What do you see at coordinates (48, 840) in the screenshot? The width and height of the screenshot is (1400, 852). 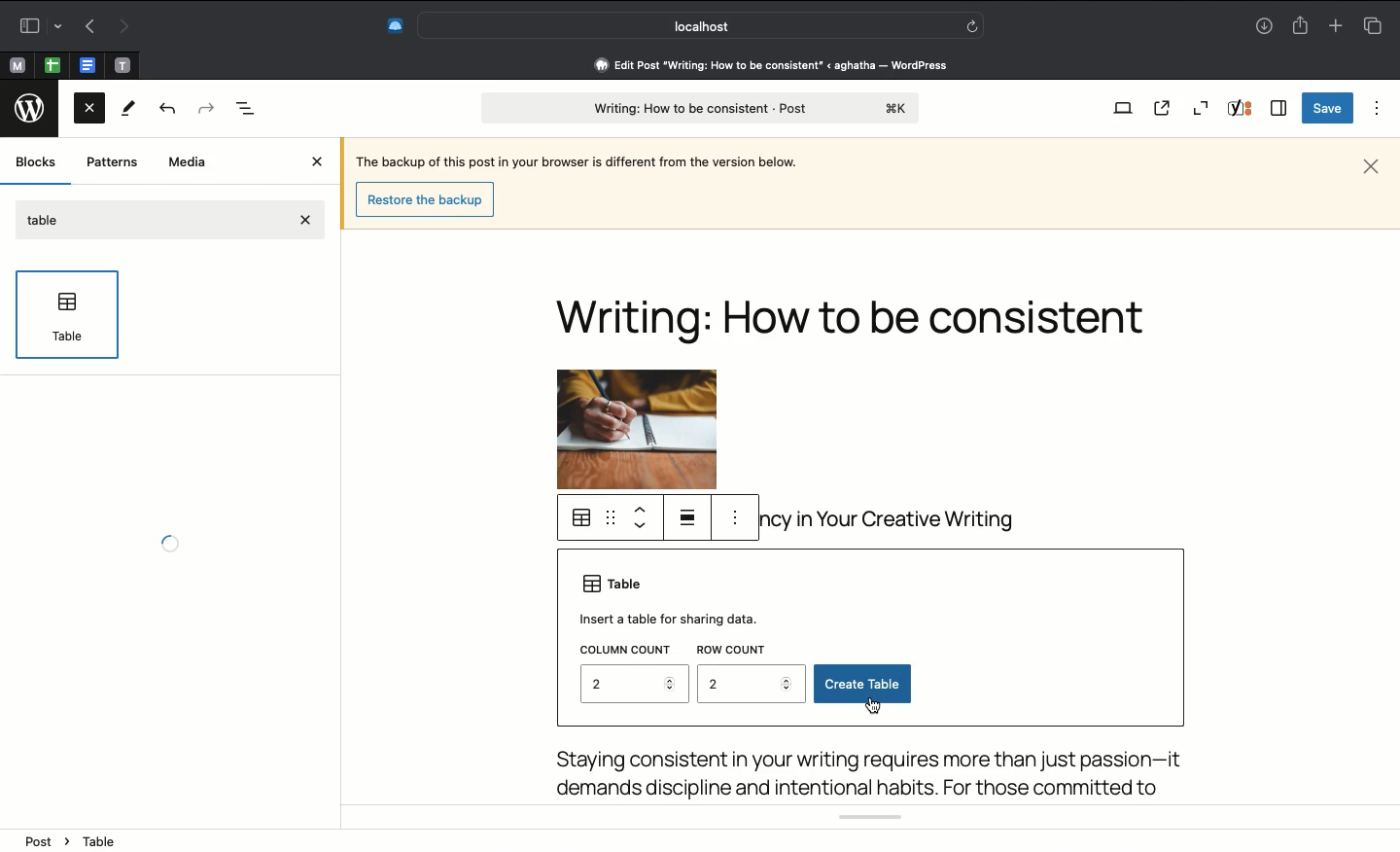 I see `post` at bounding box center [48, 840].